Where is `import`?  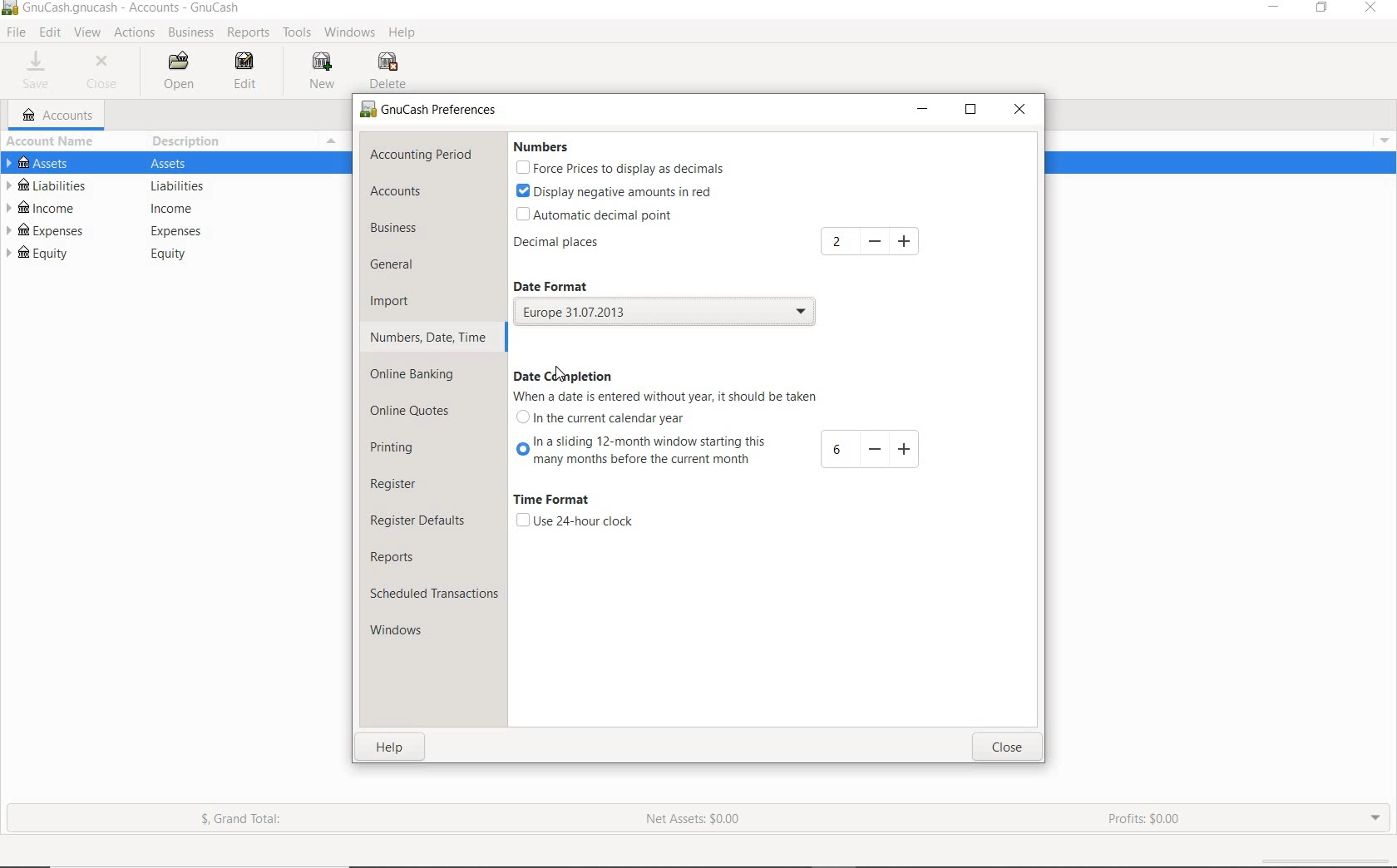
import is located at coordinates (402, 300).